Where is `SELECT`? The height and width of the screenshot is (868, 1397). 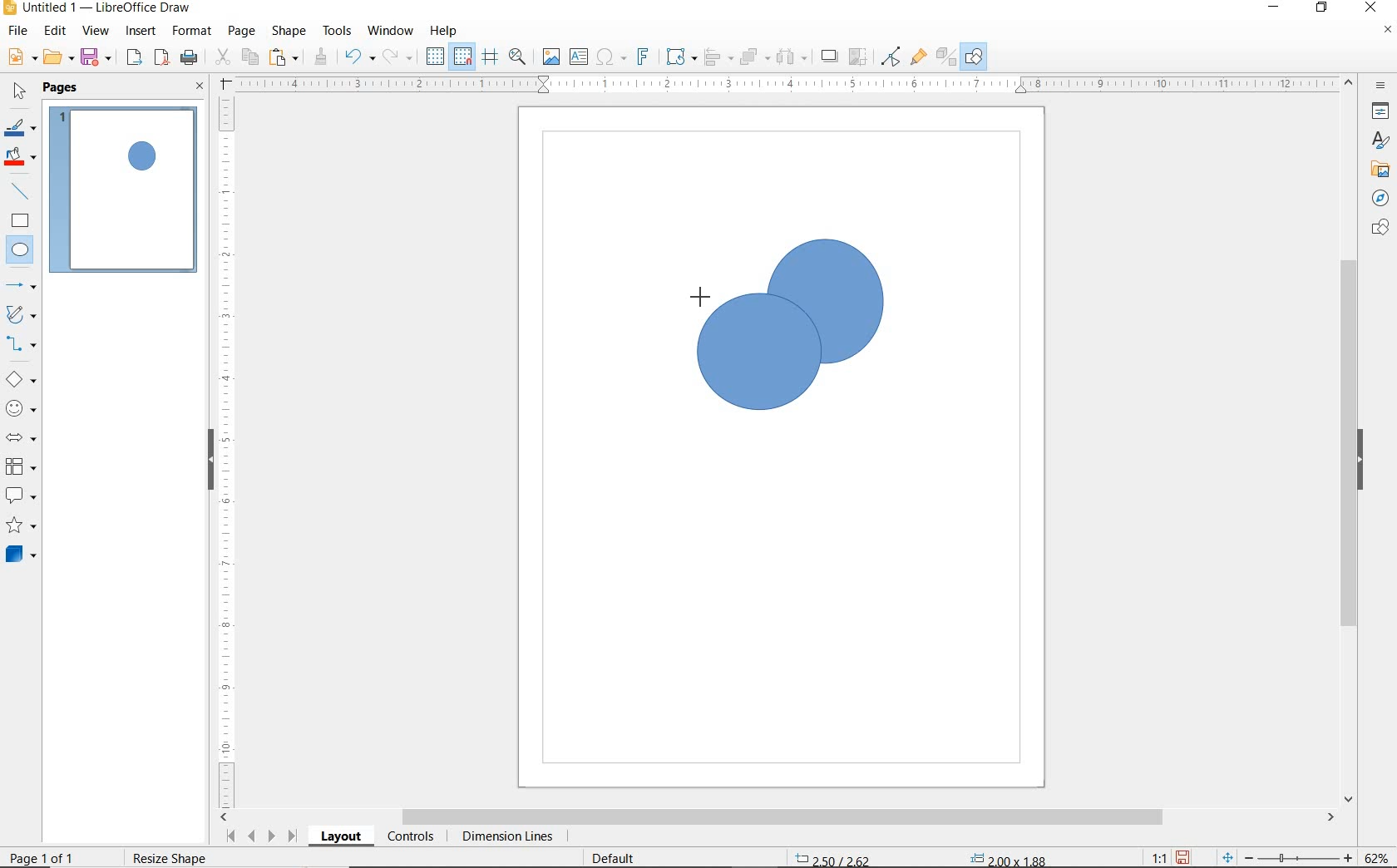
SELECT is located at coordinates (20, 92).